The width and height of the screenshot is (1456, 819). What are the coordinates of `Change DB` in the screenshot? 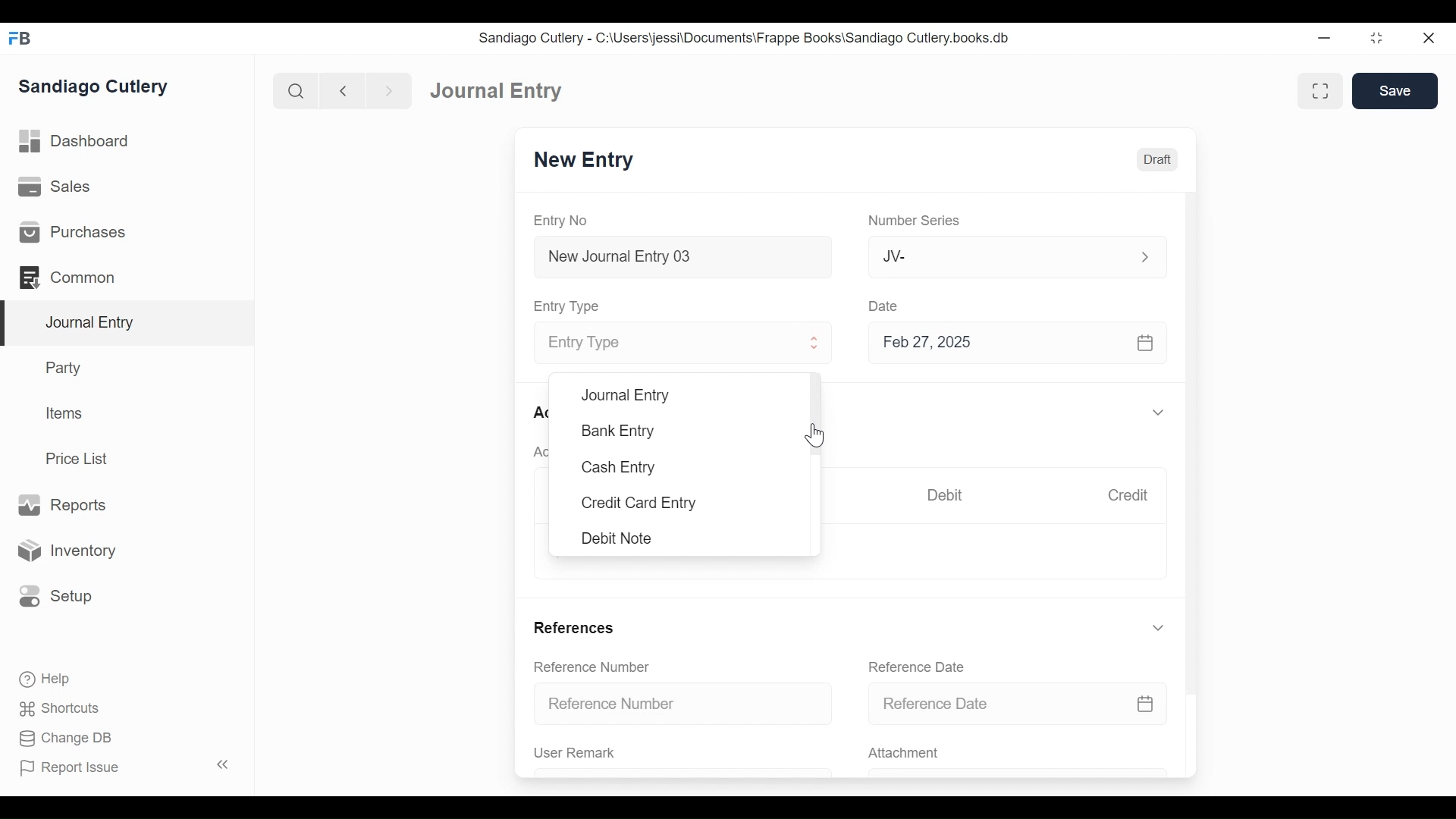 It's located at (64, 739).